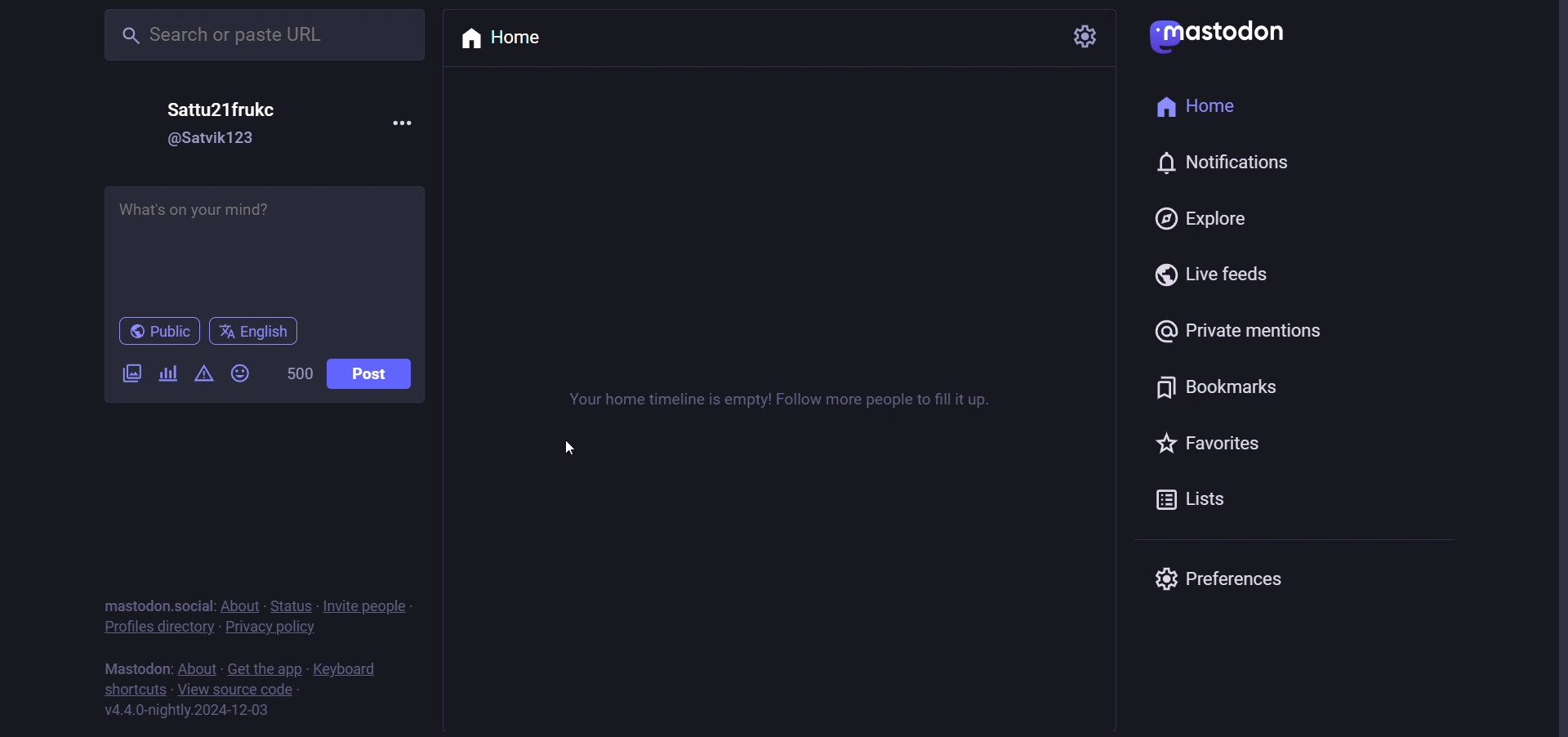 This screenshot has height=737, width=1568. I want to click on status, so click(290, 606).